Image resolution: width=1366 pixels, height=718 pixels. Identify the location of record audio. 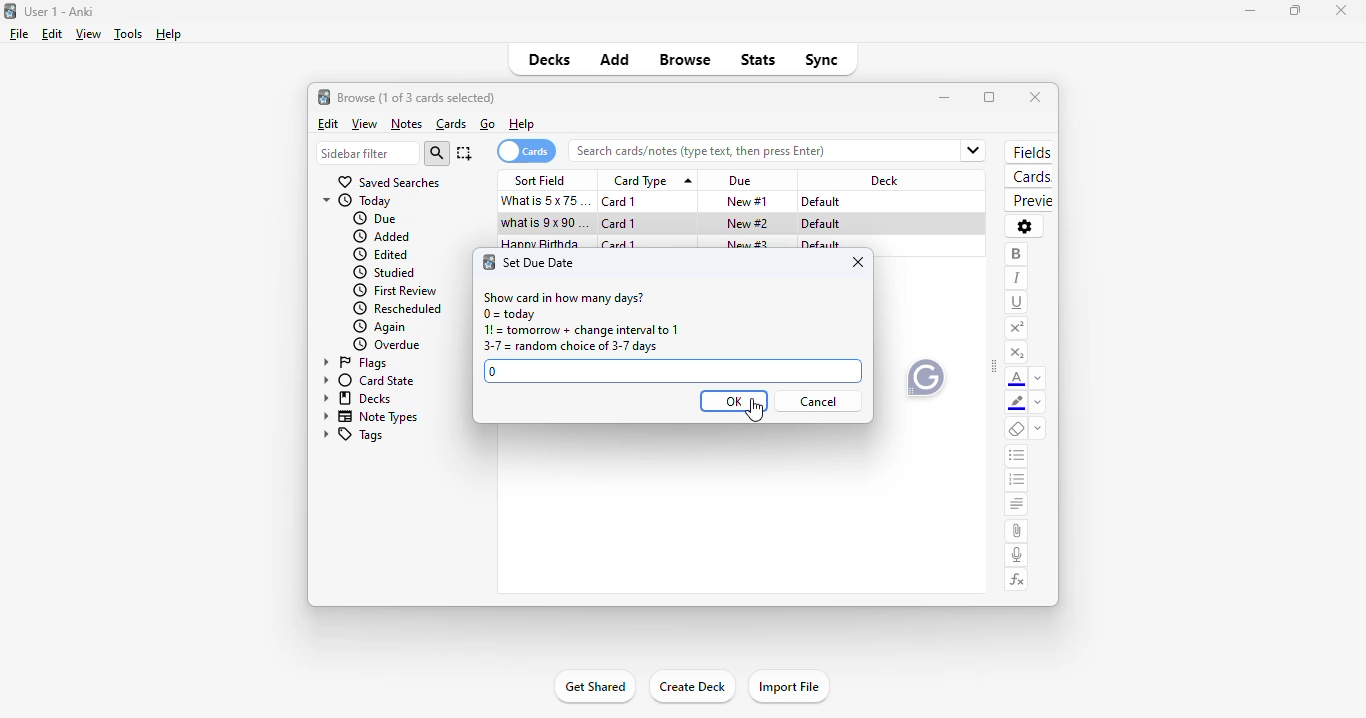
(1017, 555).